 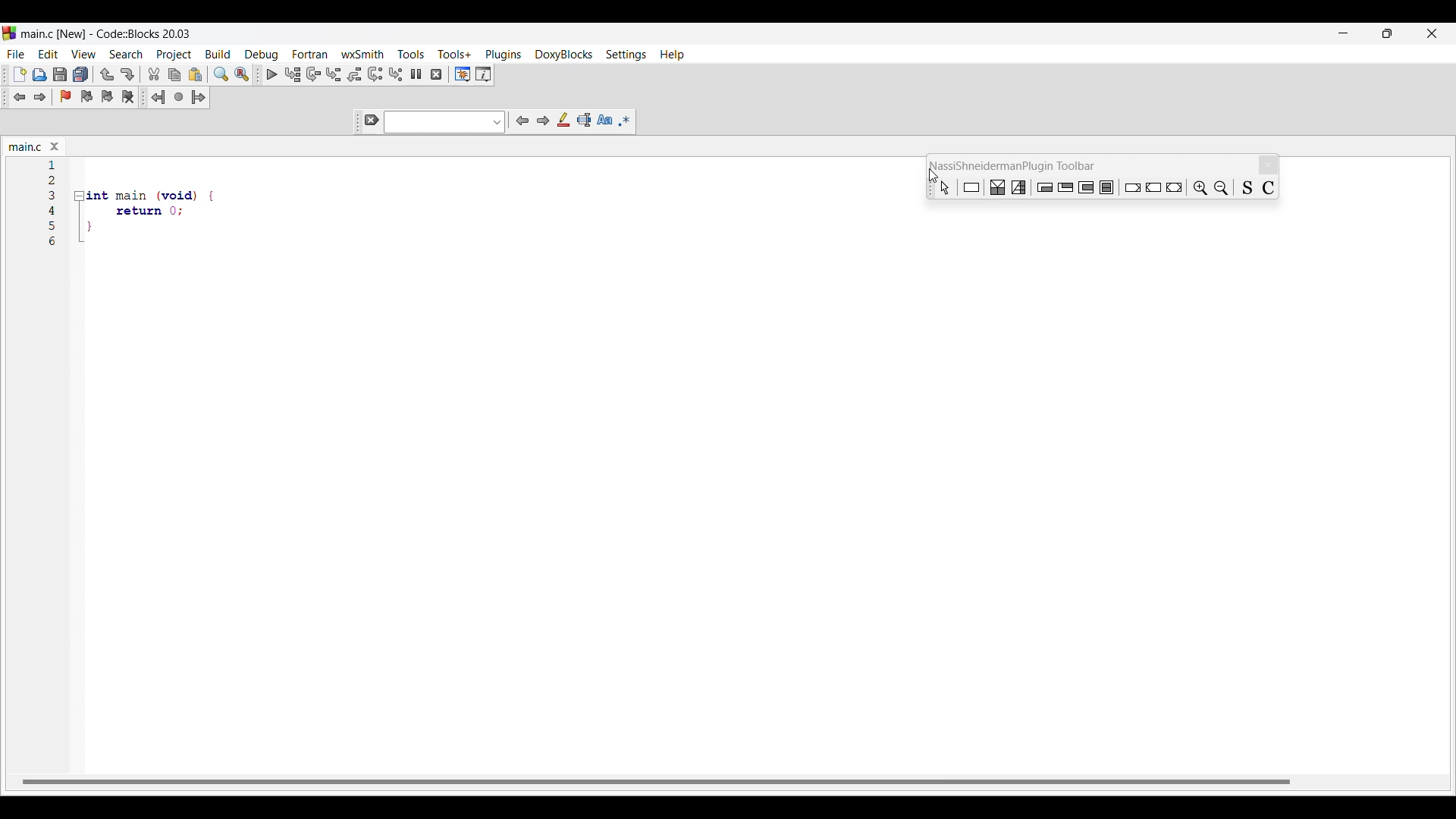 What do you see at coordinates (40, 97) in the screenshot?
I see `Toggle forward` at bounding box center [40, 97].